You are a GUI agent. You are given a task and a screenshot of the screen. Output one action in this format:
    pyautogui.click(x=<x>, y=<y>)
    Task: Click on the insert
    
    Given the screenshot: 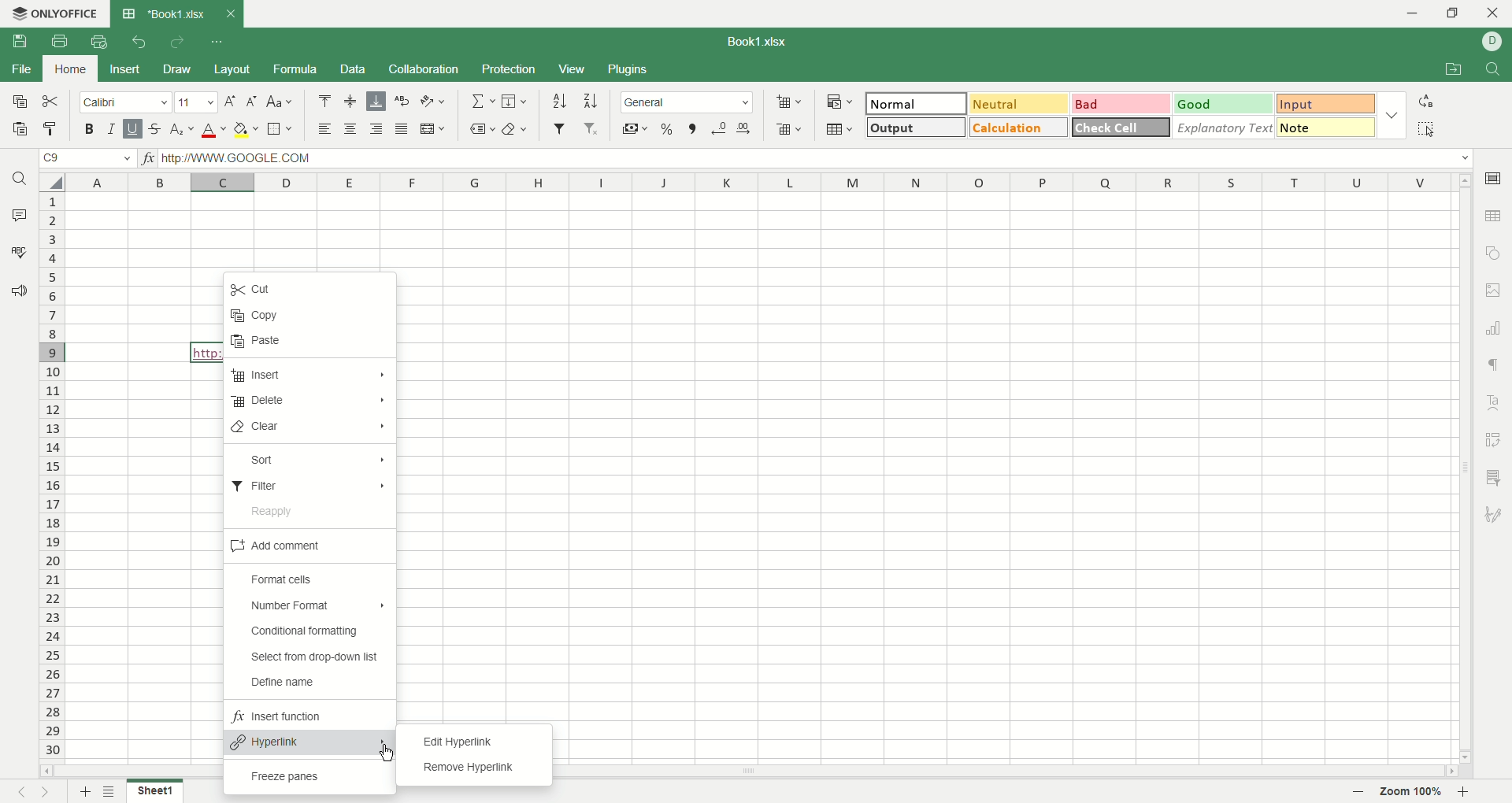 What is the action you would take?
    pyautogui.click(x=309, y=375)
    